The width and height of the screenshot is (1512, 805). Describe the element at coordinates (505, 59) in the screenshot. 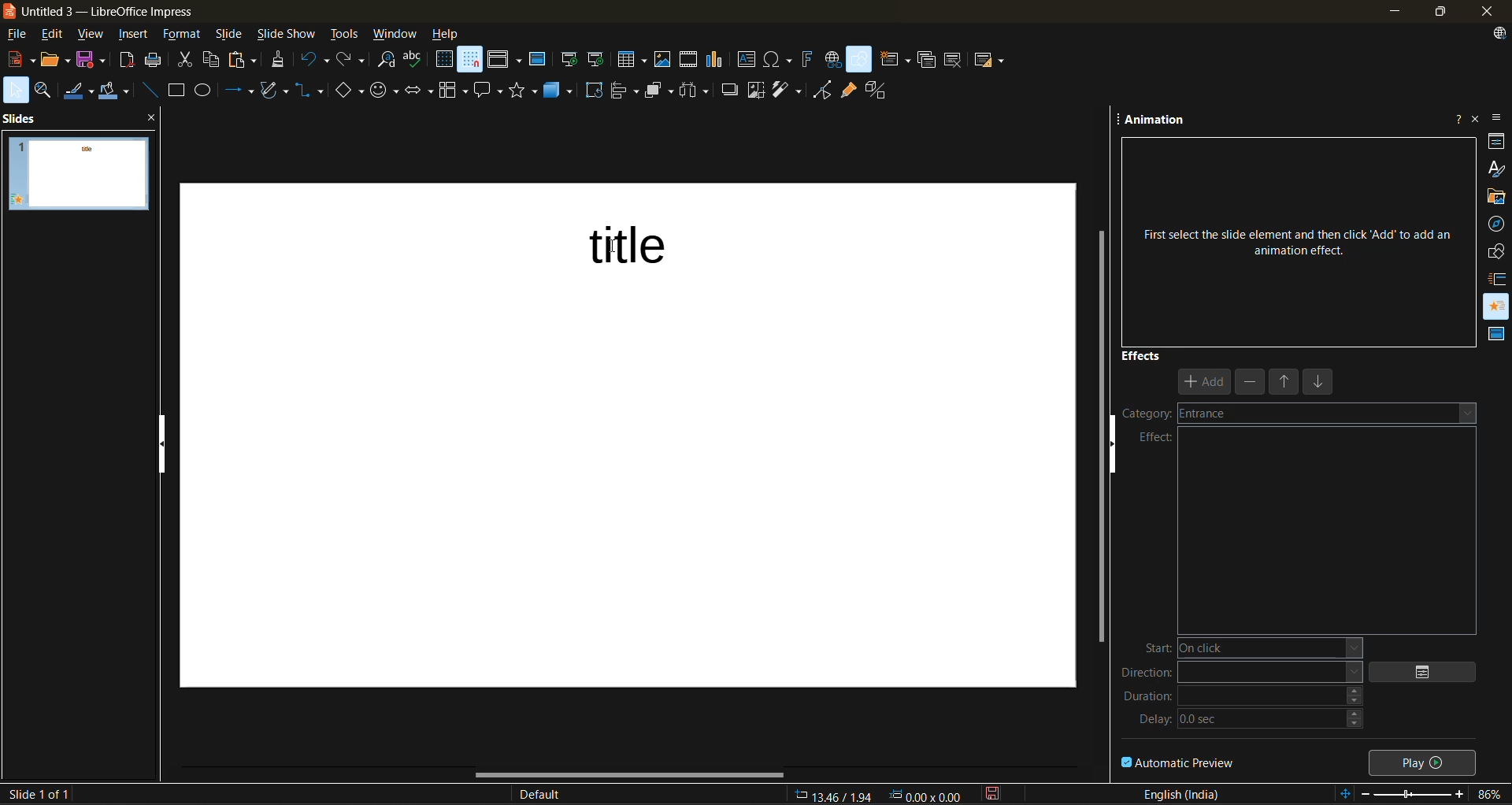

I see `display views` at that location.